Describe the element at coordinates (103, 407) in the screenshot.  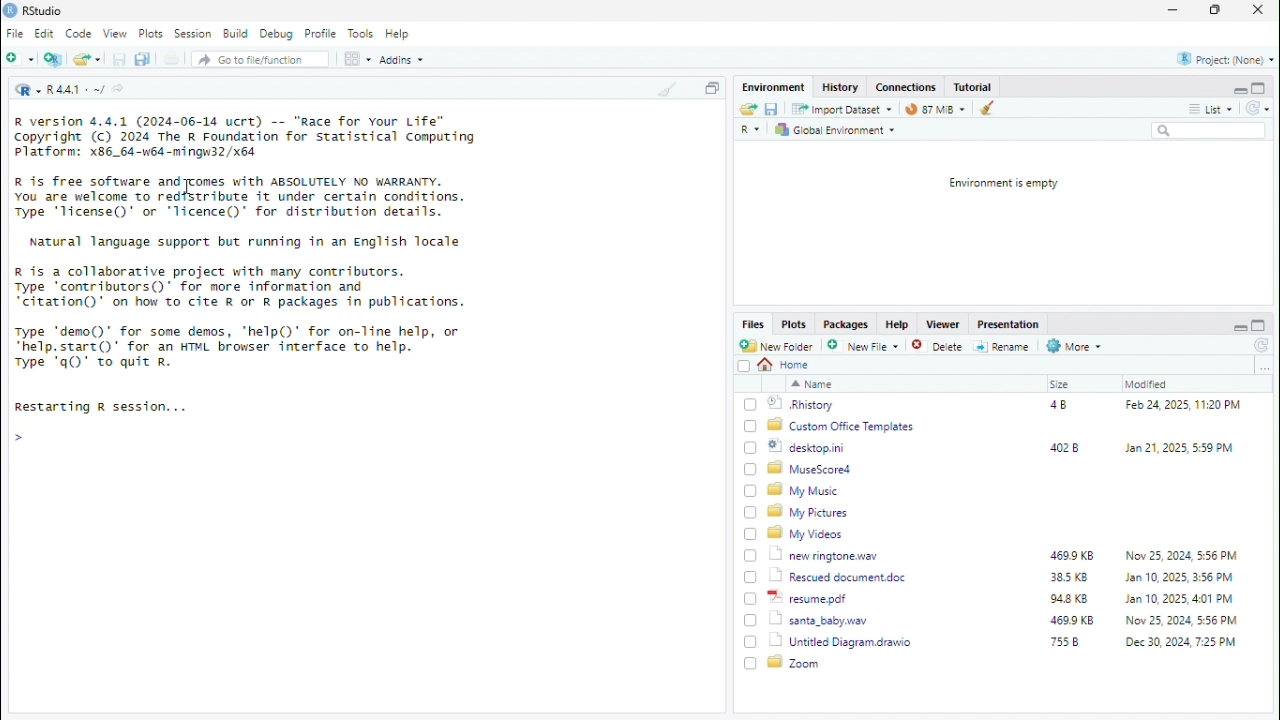
I see `Restarting R session...` at that location.